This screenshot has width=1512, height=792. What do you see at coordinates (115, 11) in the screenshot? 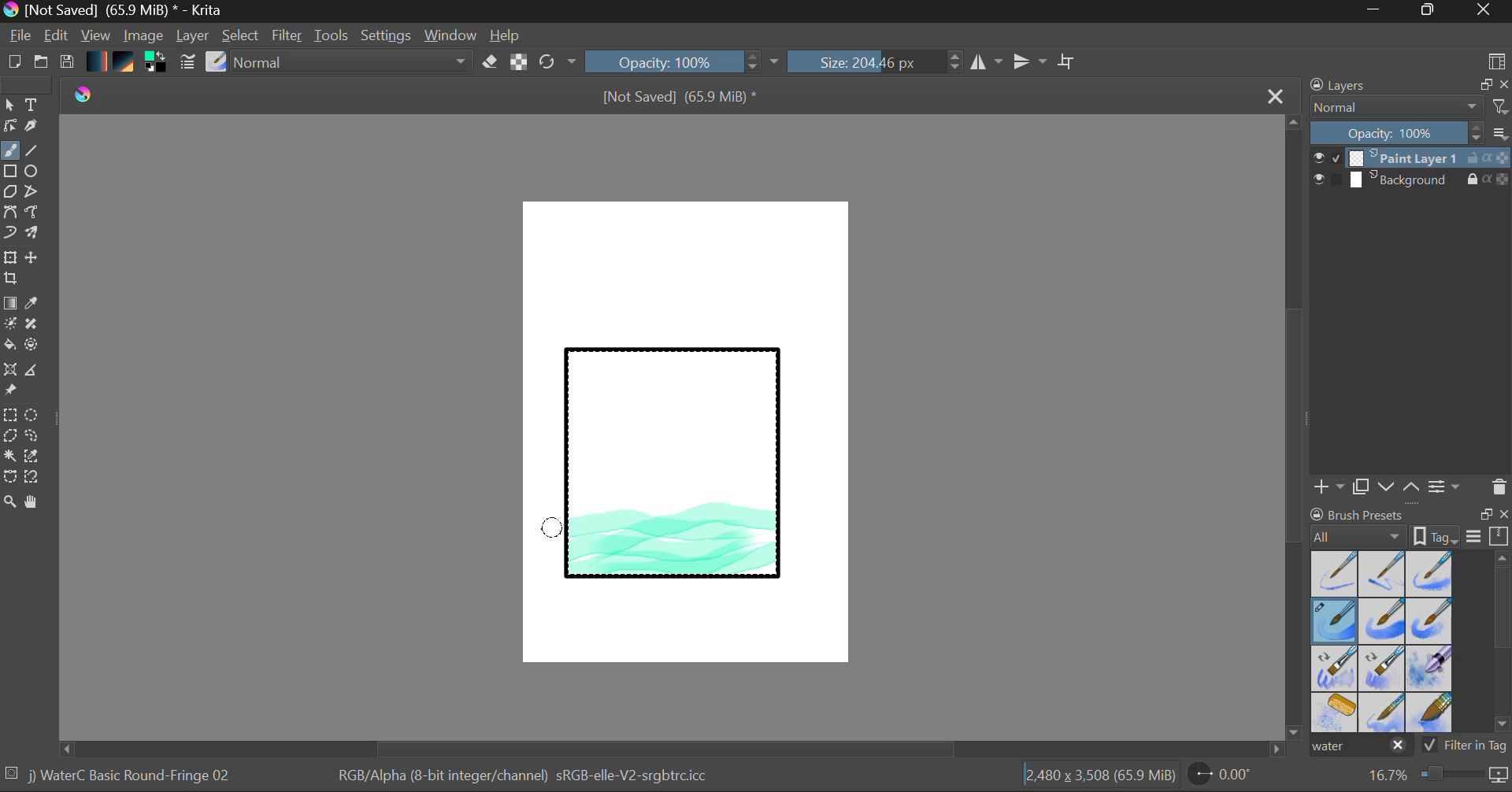
I see `Window Title` at bounding box center [115, 11].